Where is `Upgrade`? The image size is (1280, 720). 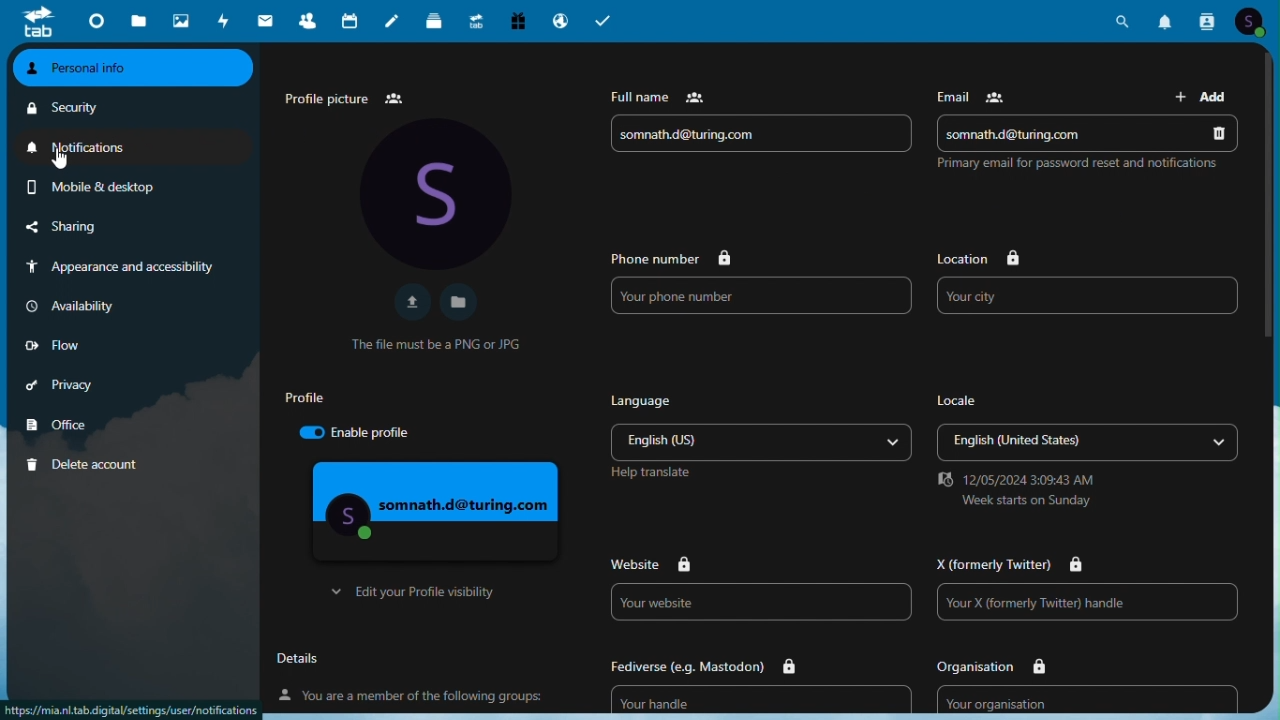 Upgrade is located at coordinates (476, 18).